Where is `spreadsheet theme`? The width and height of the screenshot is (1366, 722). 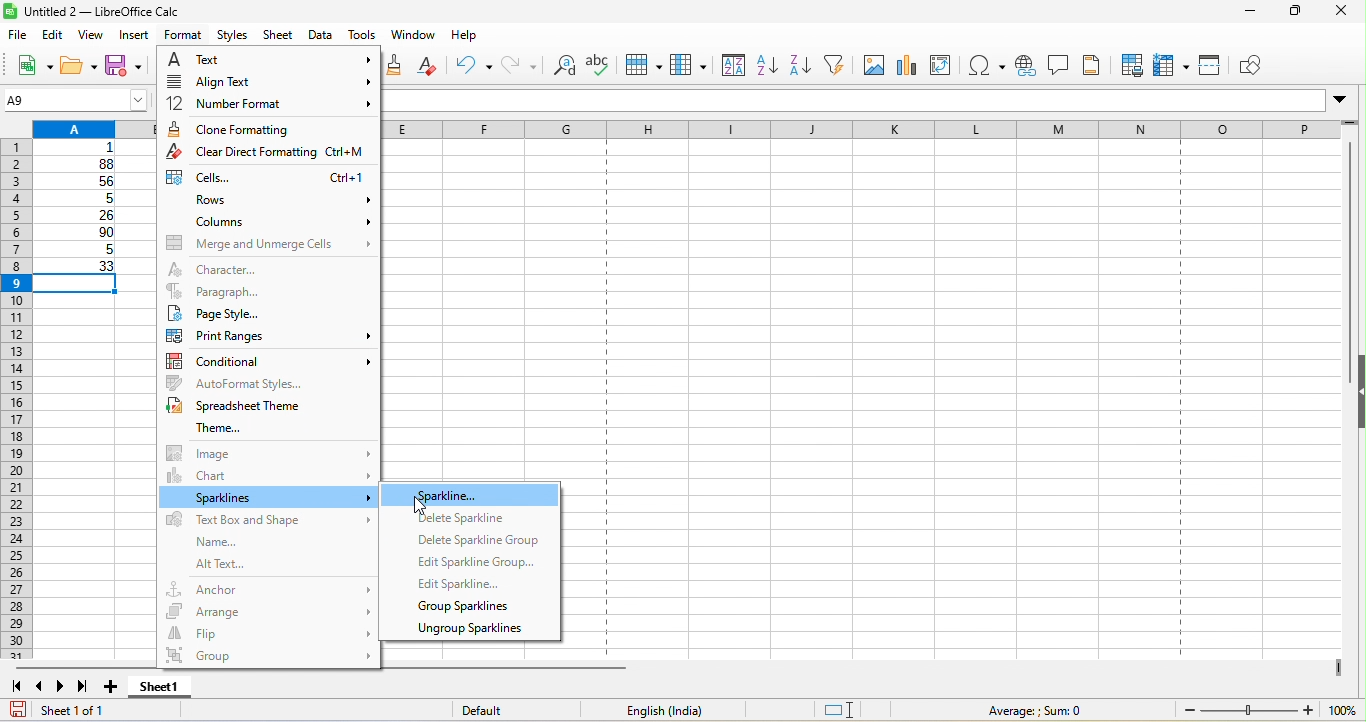
spreadsheet theme is located at coordinates (244, 406).